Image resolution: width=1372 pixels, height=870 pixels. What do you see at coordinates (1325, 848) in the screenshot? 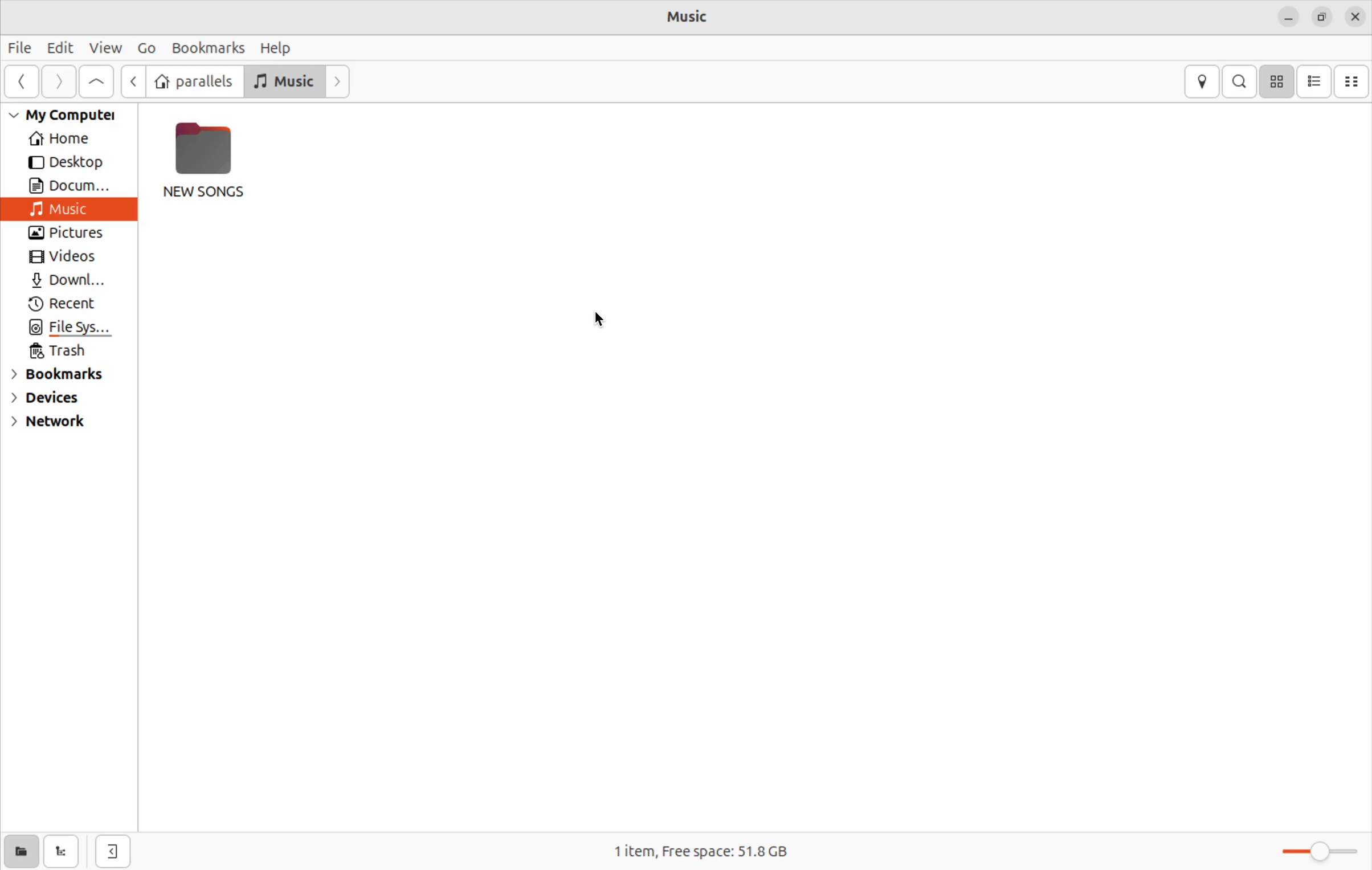
I see `toggle zoom` at bounding box center [1325, 848].